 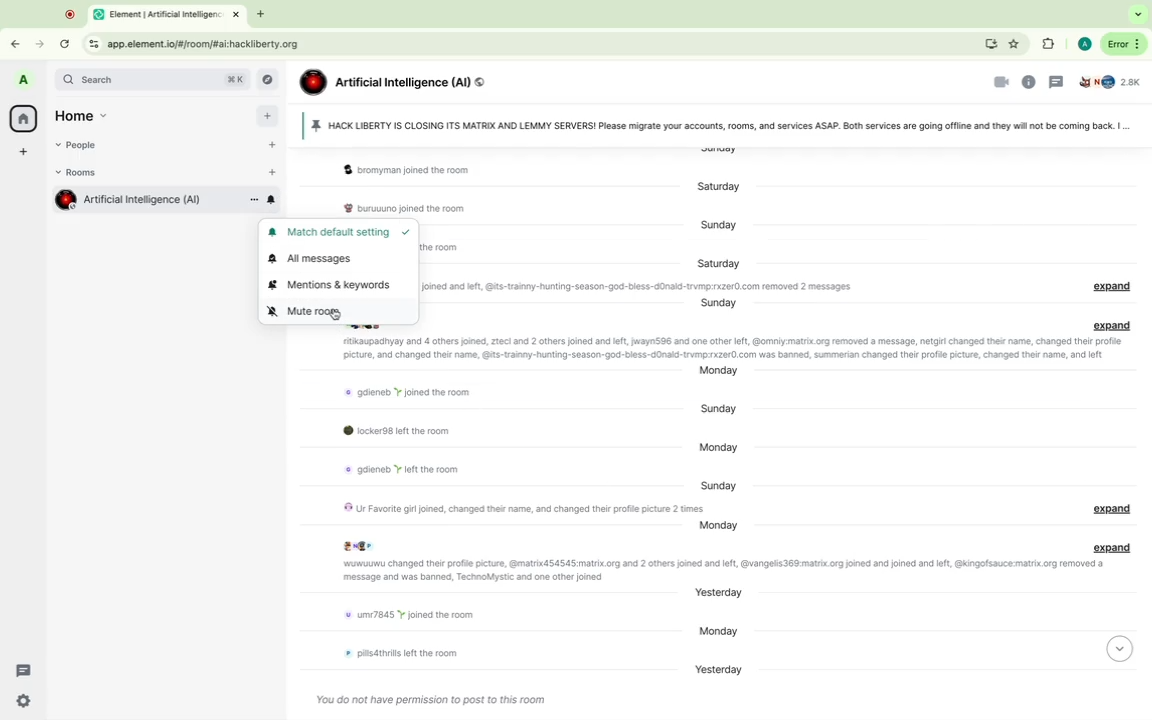 I want to click on Google profile, so click(x=1082, y=46).